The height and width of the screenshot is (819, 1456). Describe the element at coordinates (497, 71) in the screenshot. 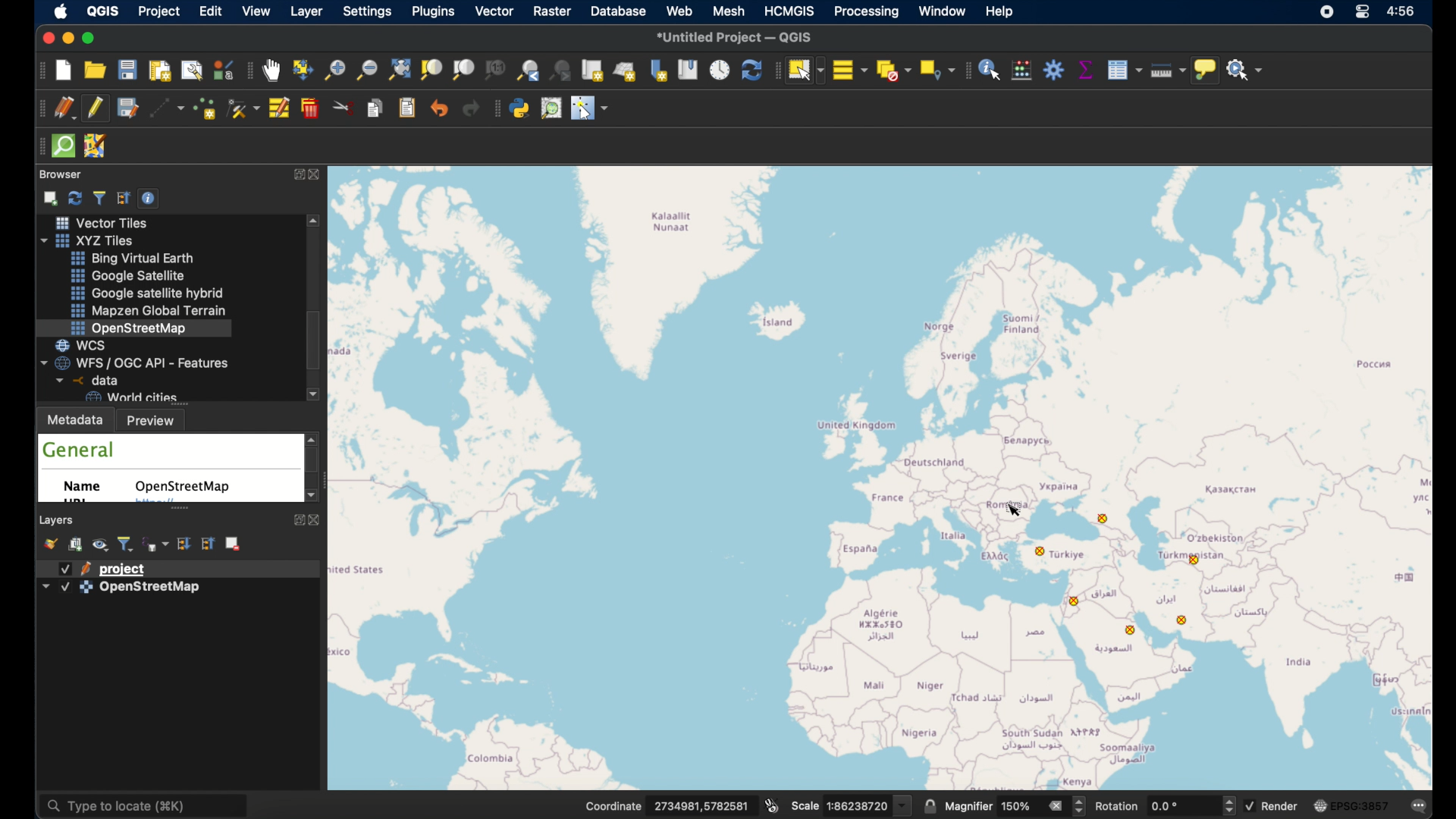

I see `zoom to native resolution` at that location.